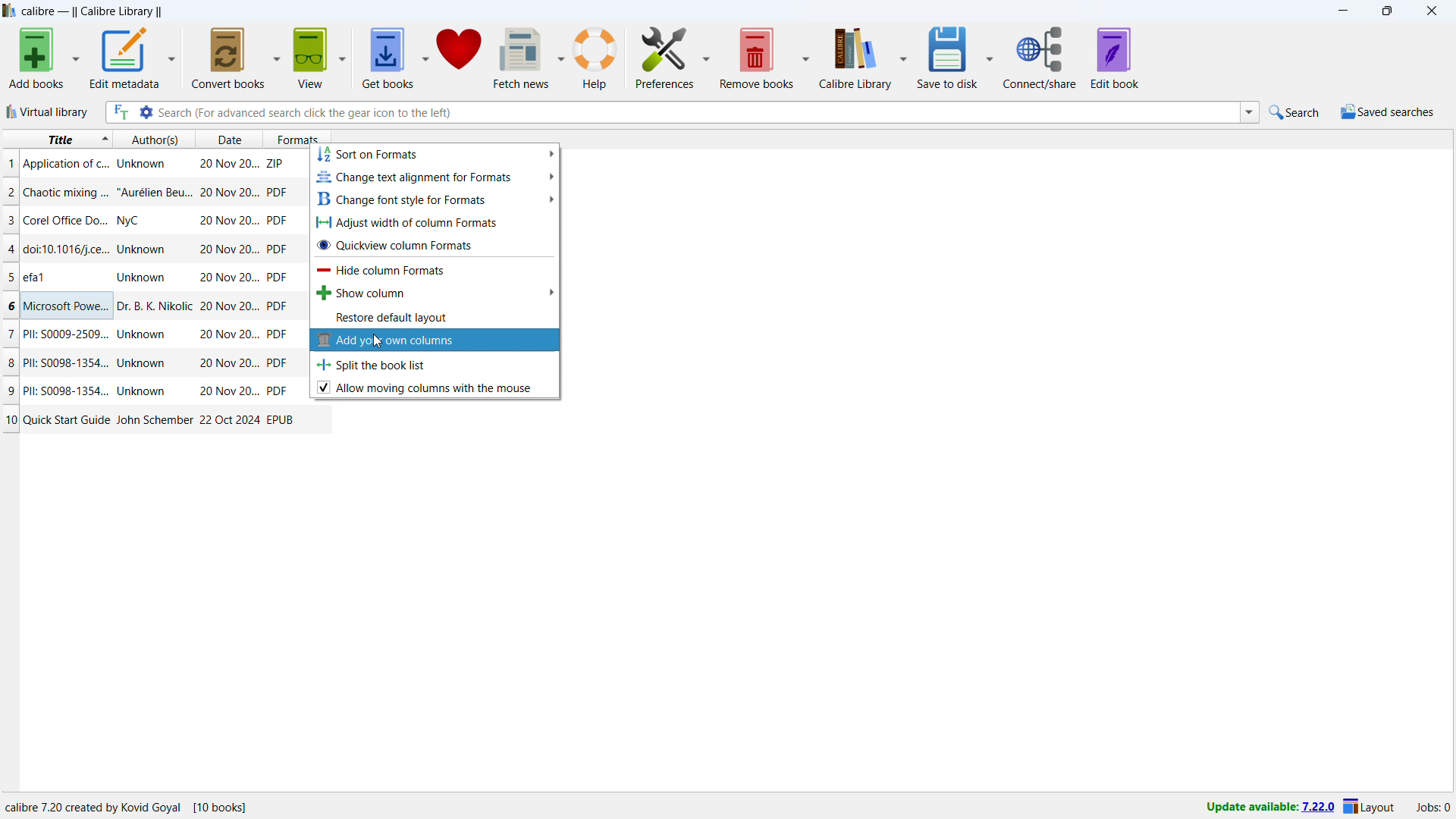 Image resolution: width=1456 pixels, height=819 pixels. Describe the element at coordinates (9, 164) in the screenshot. I see `1` at that location.